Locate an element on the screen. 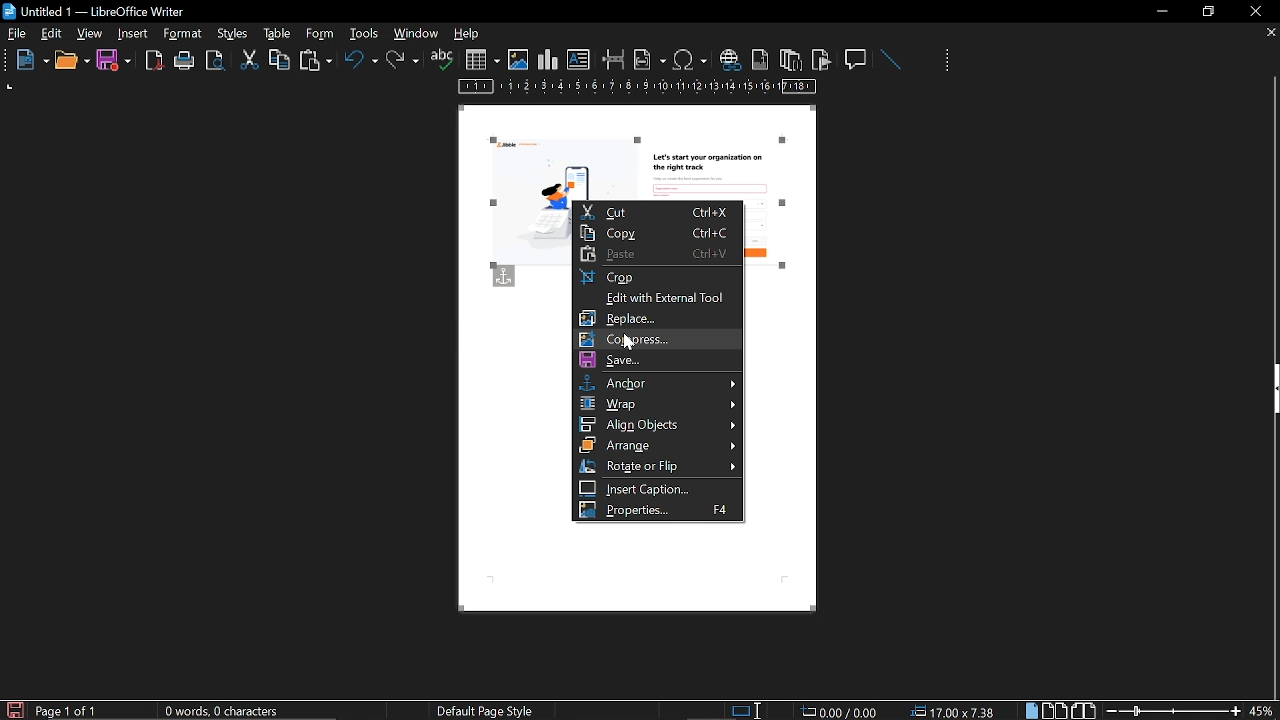 The height and width of the screenshot is (720, 1280). change zoom is located at coordinates (1173, 710).